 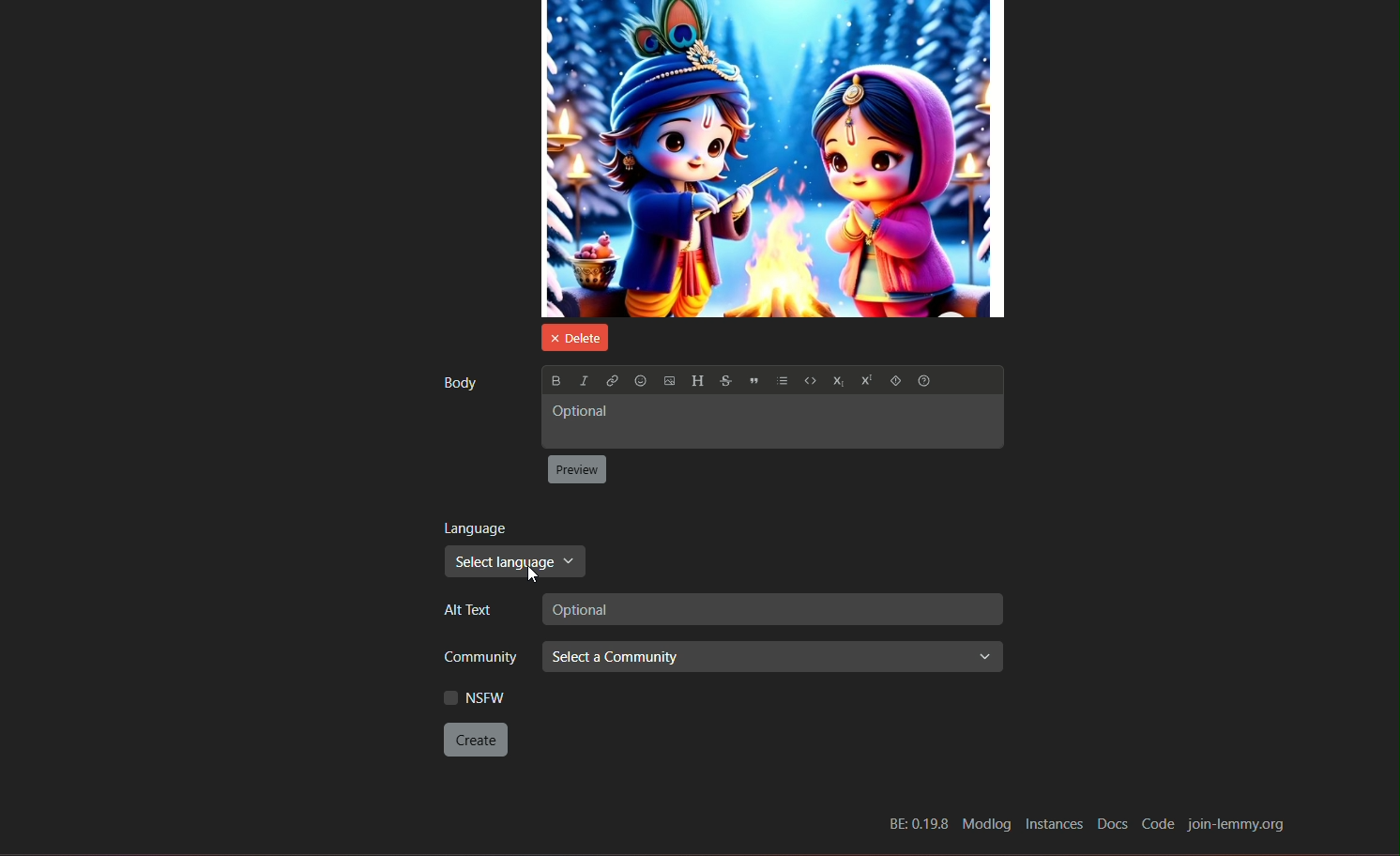 What do you see at coordinates (516, 562) in the screenshot?
I see `Select Language` at bounding box center [516, 562].